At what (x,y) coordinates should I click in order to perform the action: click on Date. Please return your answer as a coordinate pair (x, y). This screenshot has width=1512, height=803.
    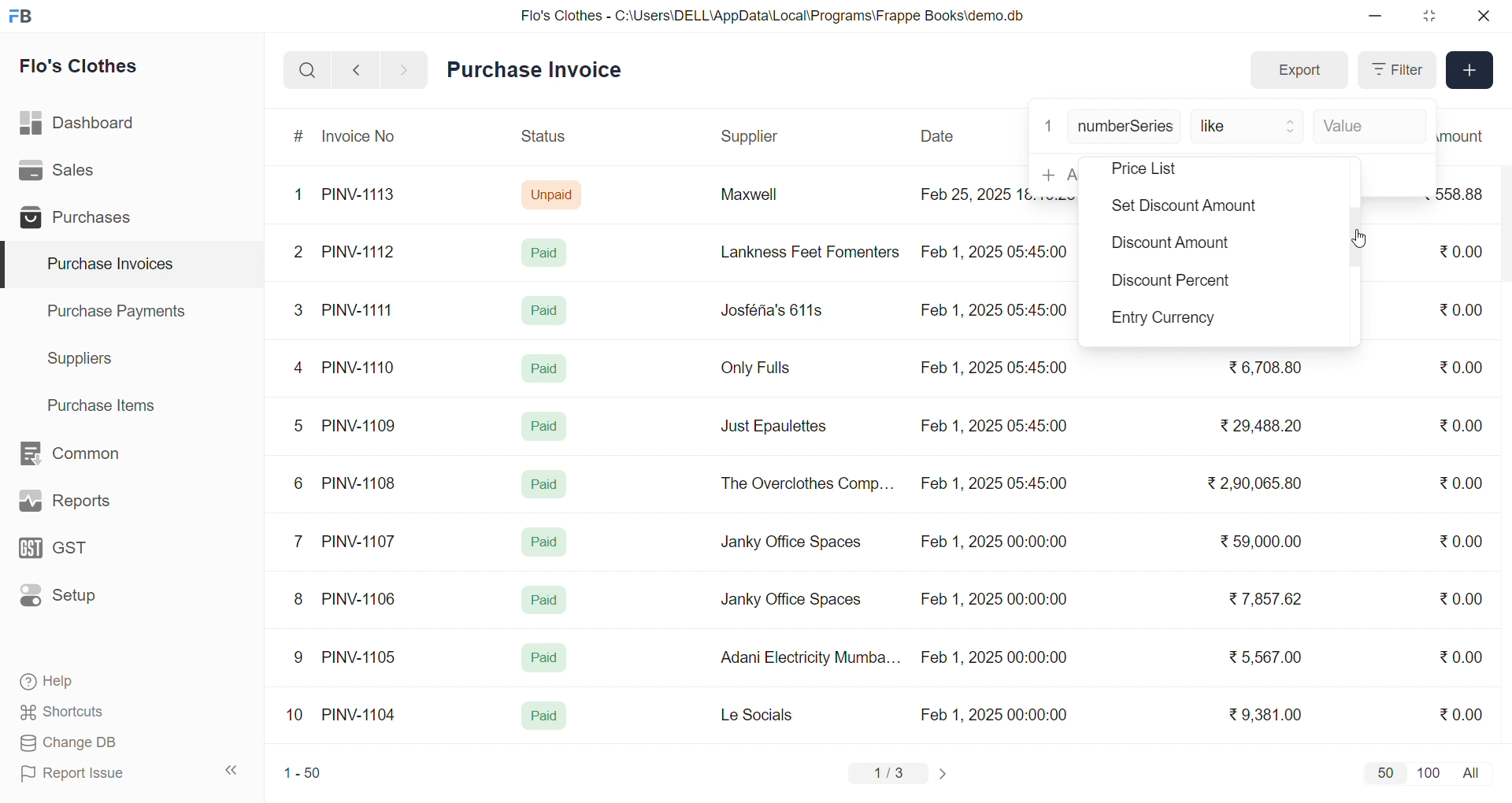
    Looking at the image, I should click on (939, 136).